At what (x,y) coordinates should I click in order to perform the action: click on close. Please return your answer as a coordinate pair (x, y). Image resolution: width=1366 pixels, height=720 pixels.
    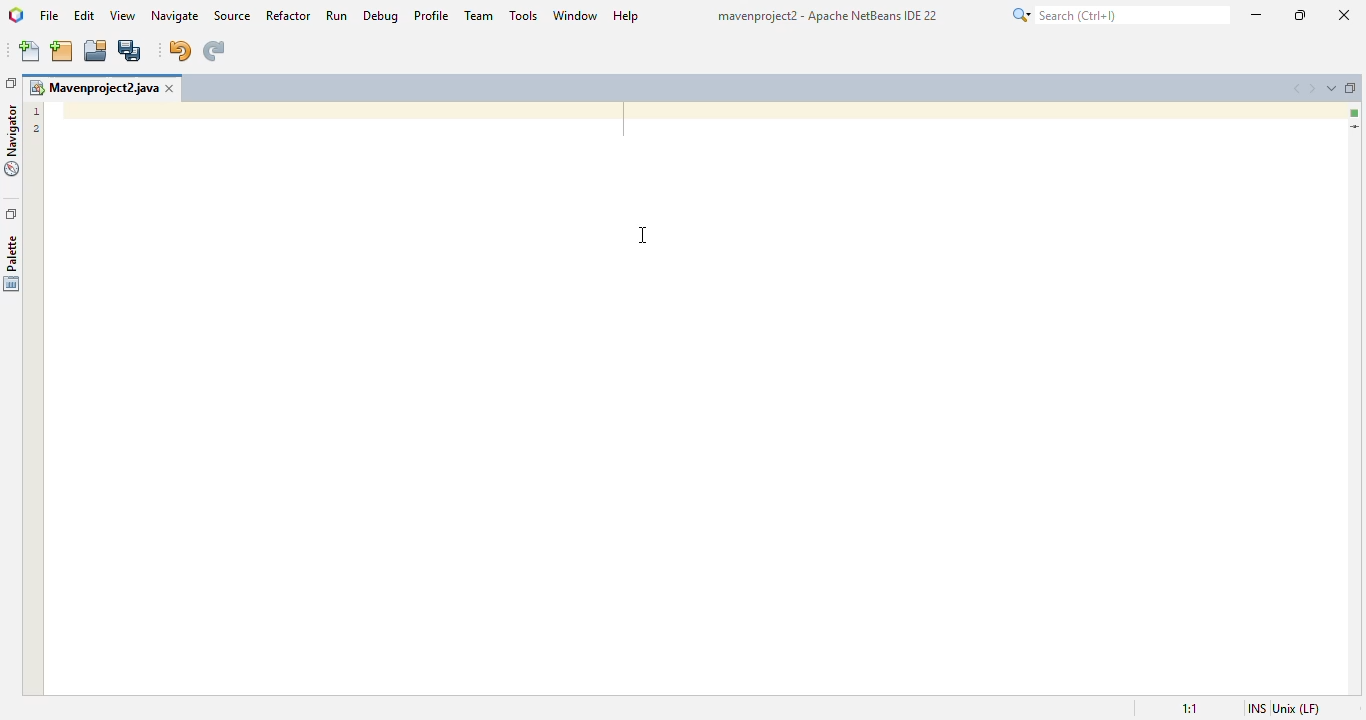
    Looking at the image, I should click on (1346, 15).